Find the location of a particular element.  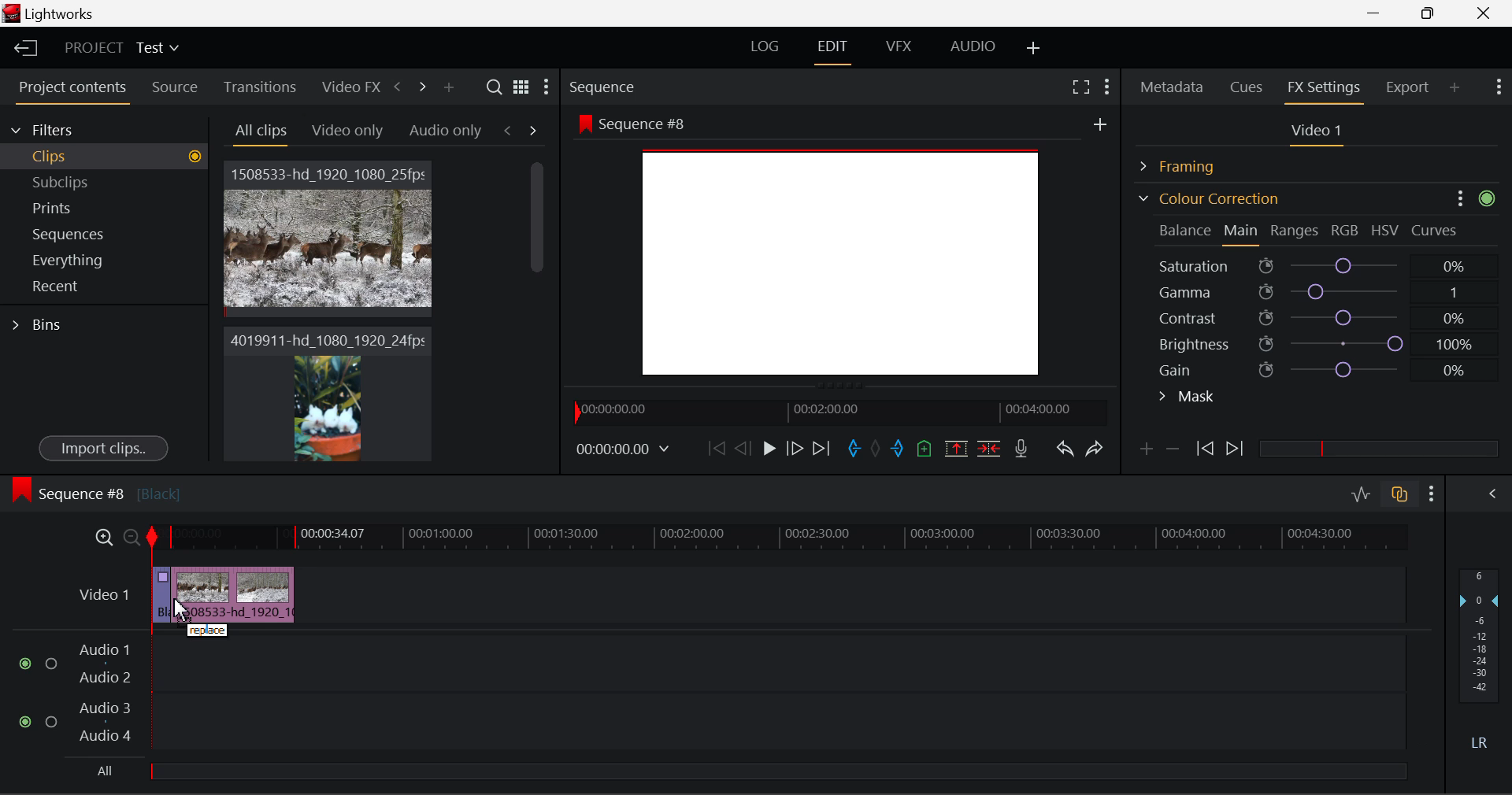

Show Audio Mix is located at coordinates (1494, 492).